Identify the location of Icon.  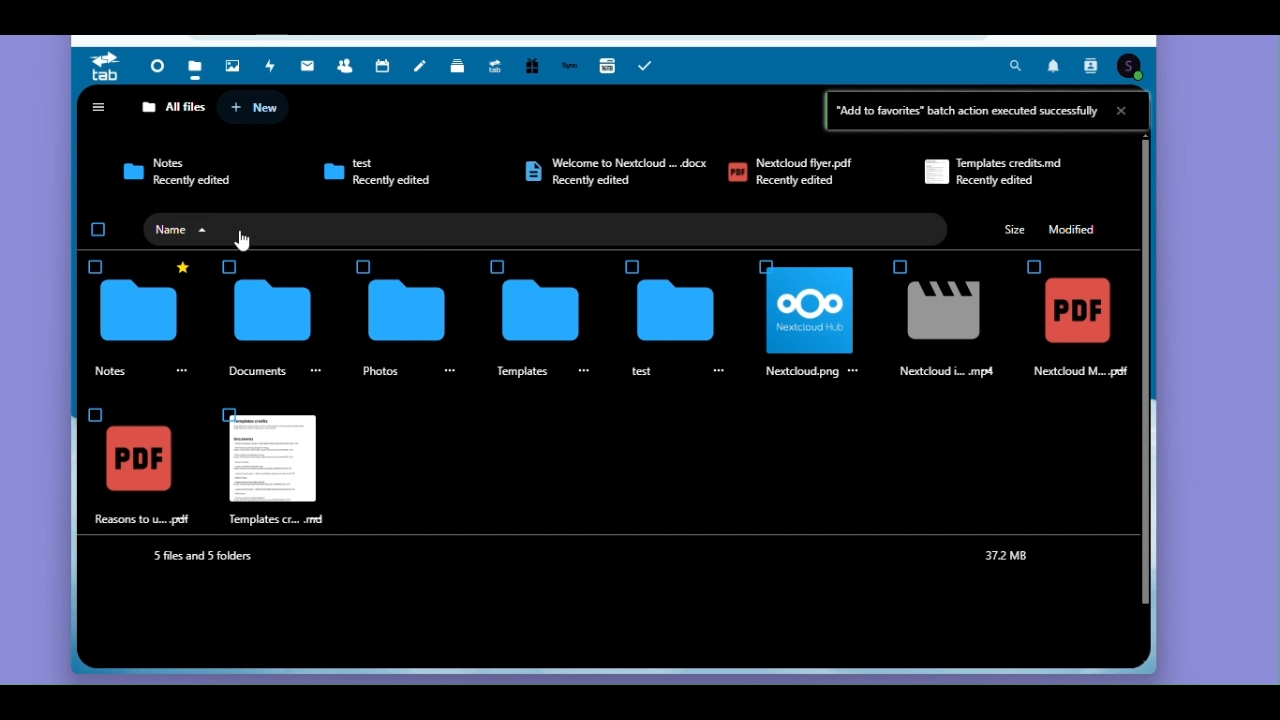
(677, 314).